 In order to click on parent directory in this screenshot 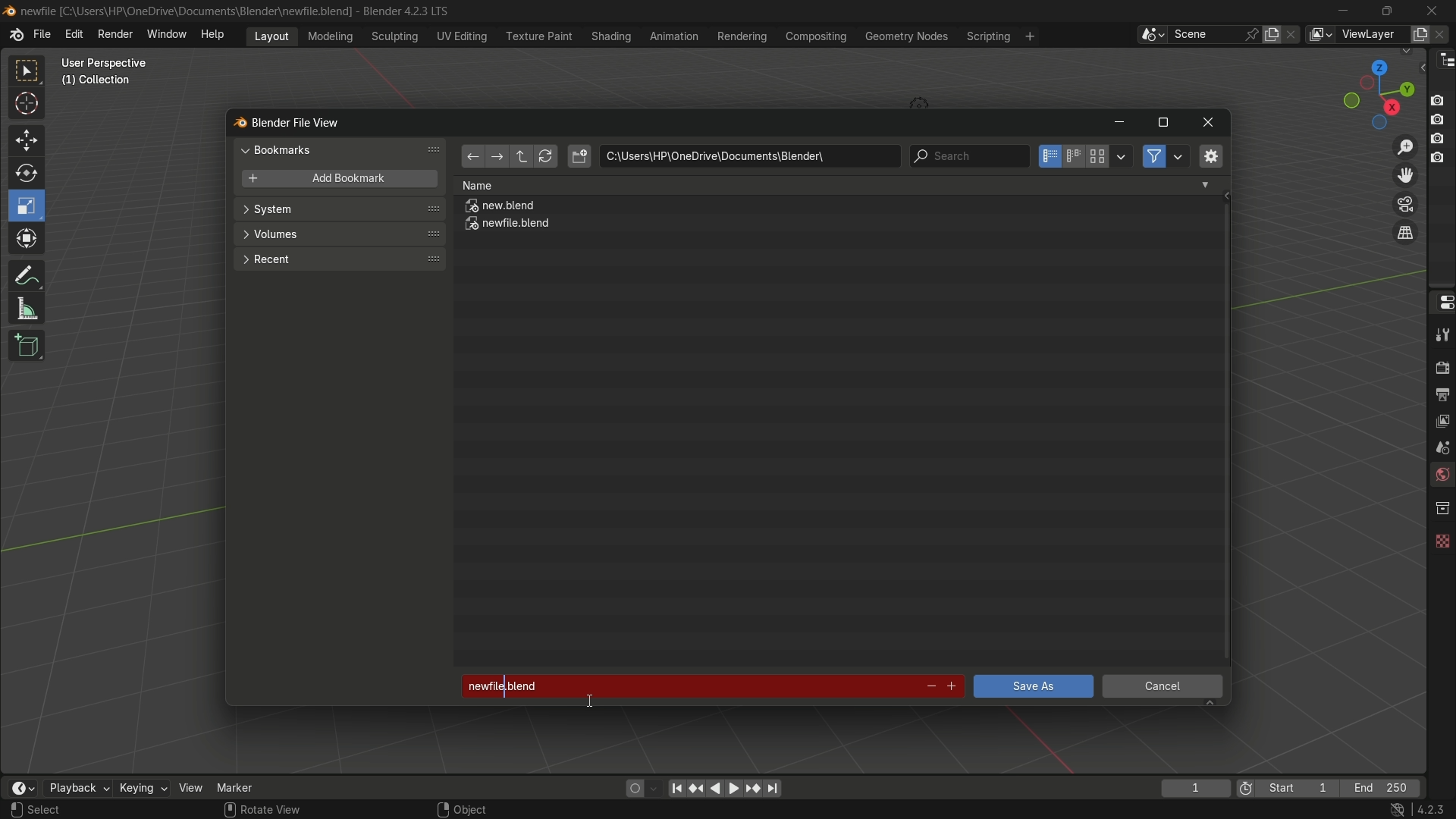, I will do `click(523, 156)`.